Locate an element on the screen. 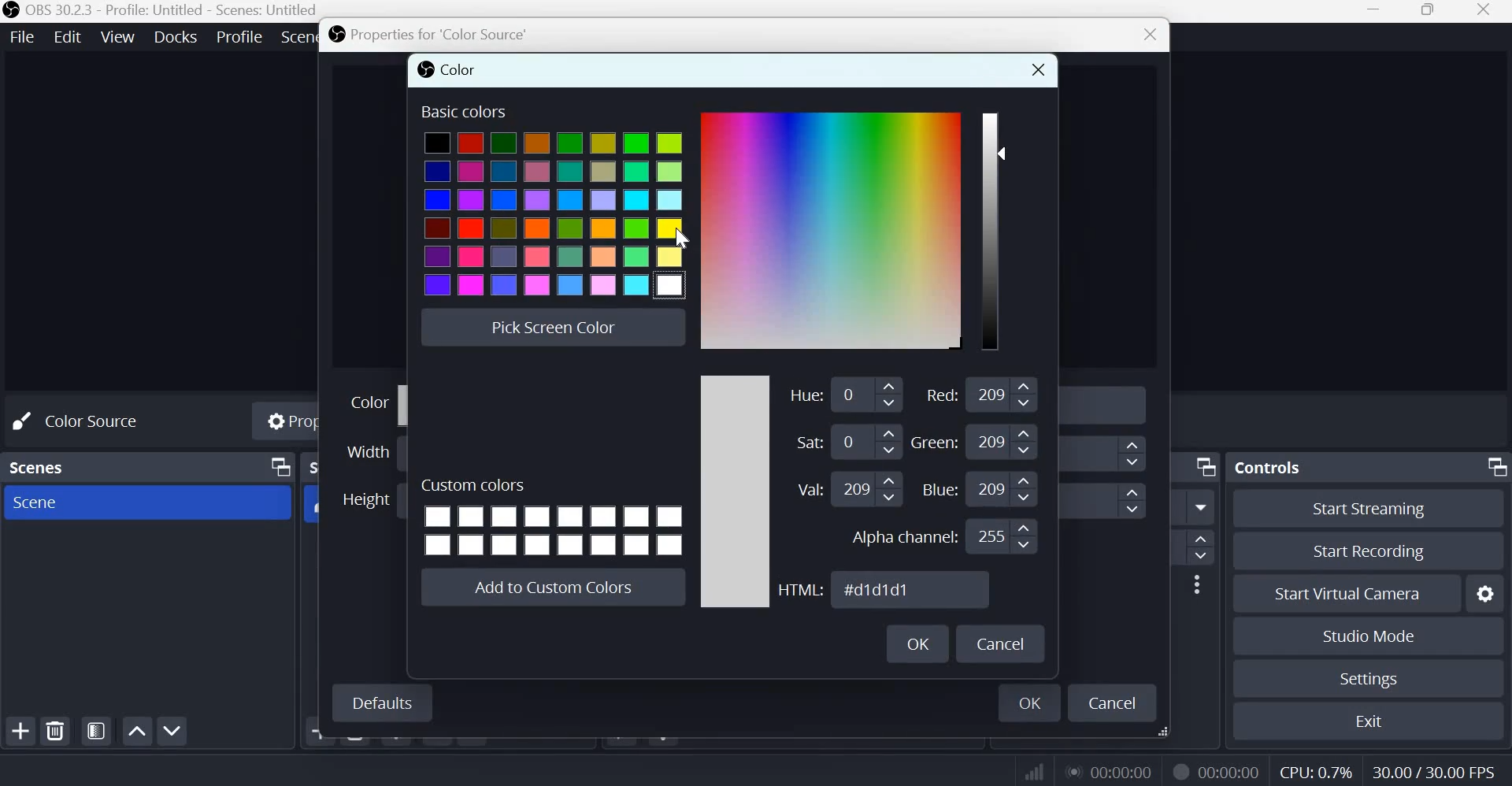 This screenshot has width=1512, height=786. Hue: is located at coordinates (808, 395).